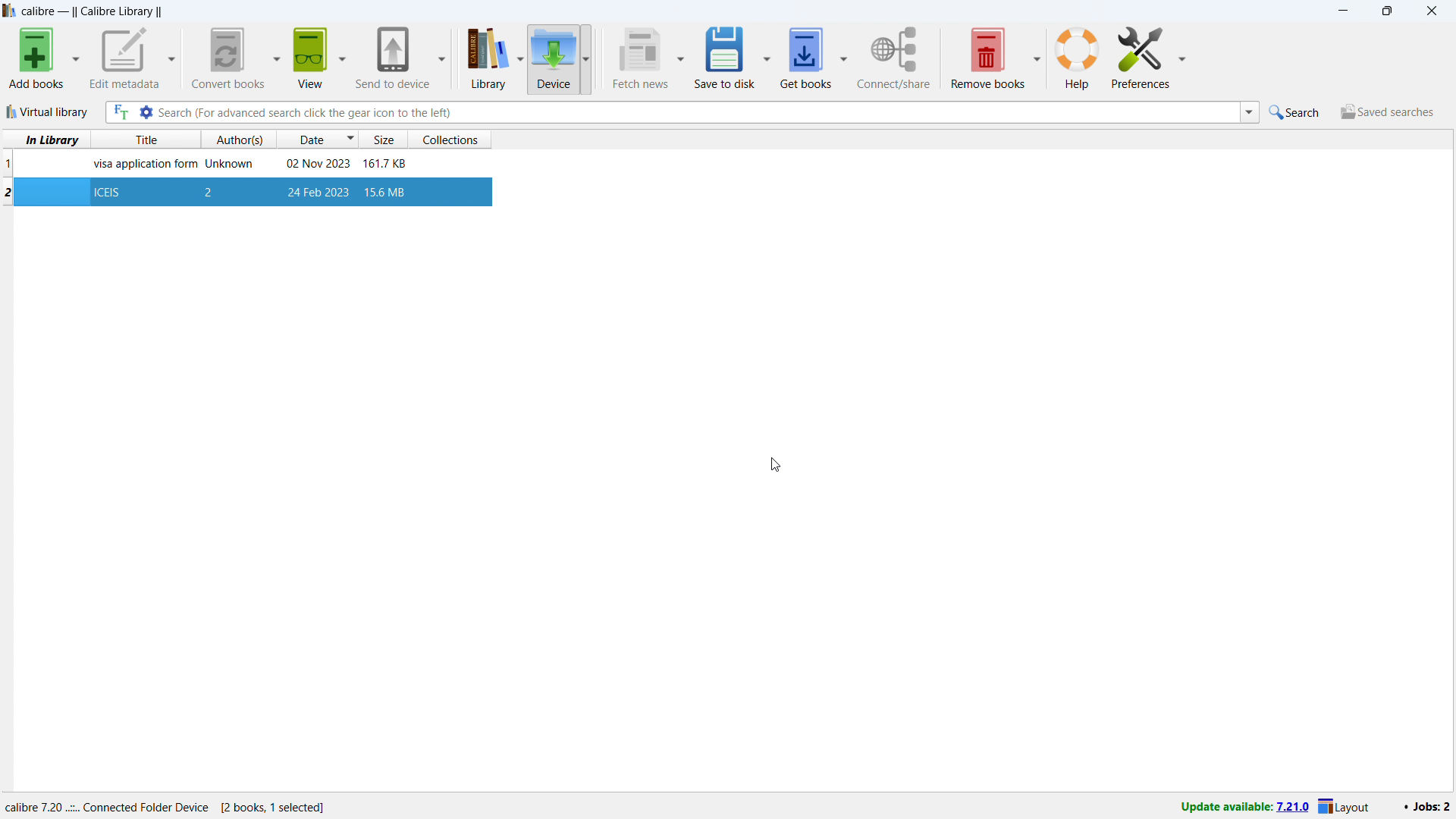  I want to click on edit metadata options, so click(172, 60).